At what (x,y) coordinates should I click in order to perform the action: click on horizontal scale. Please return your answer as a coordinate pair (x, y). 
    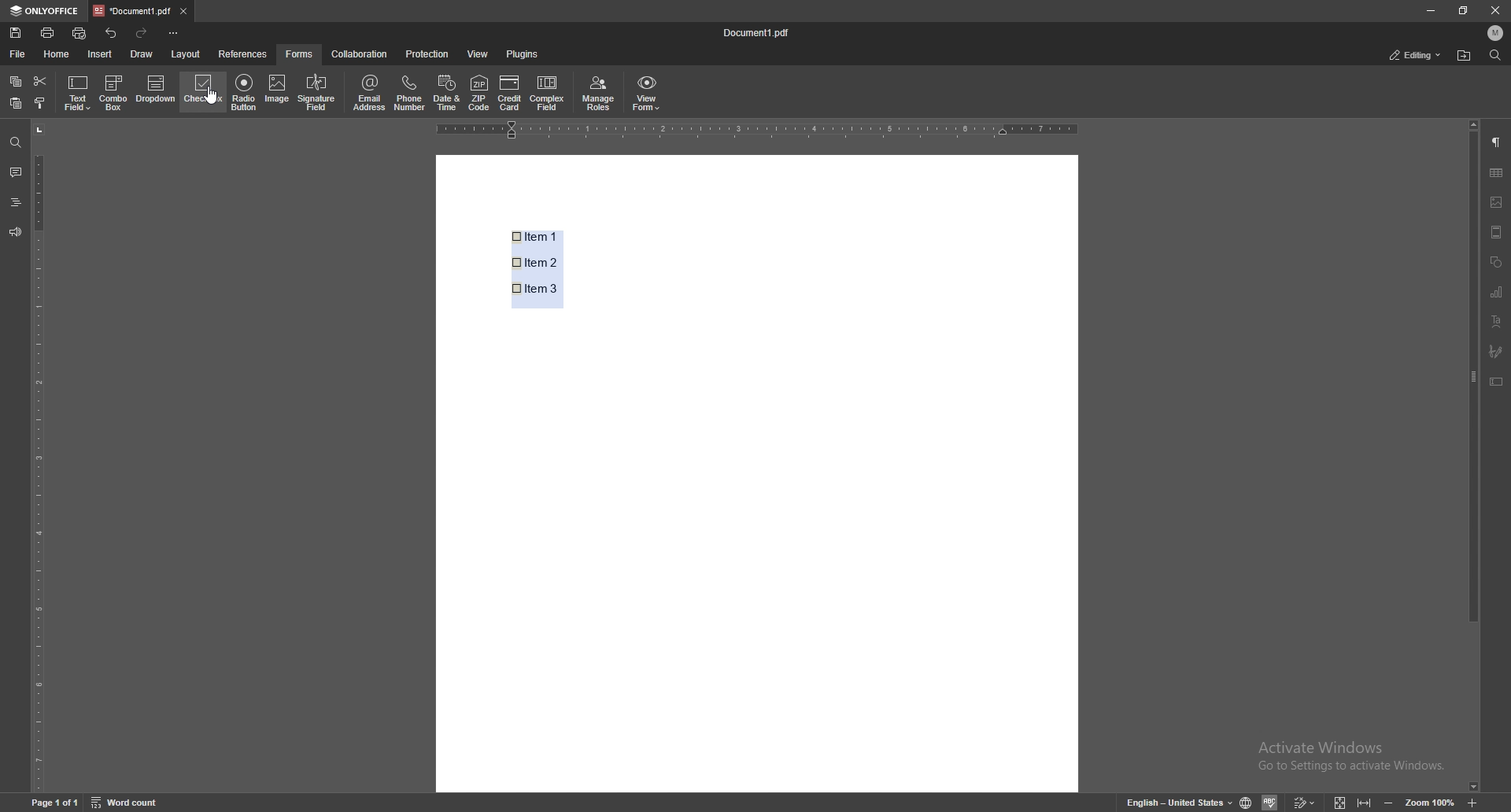
    Looking at the image, I should click on (756, 131).